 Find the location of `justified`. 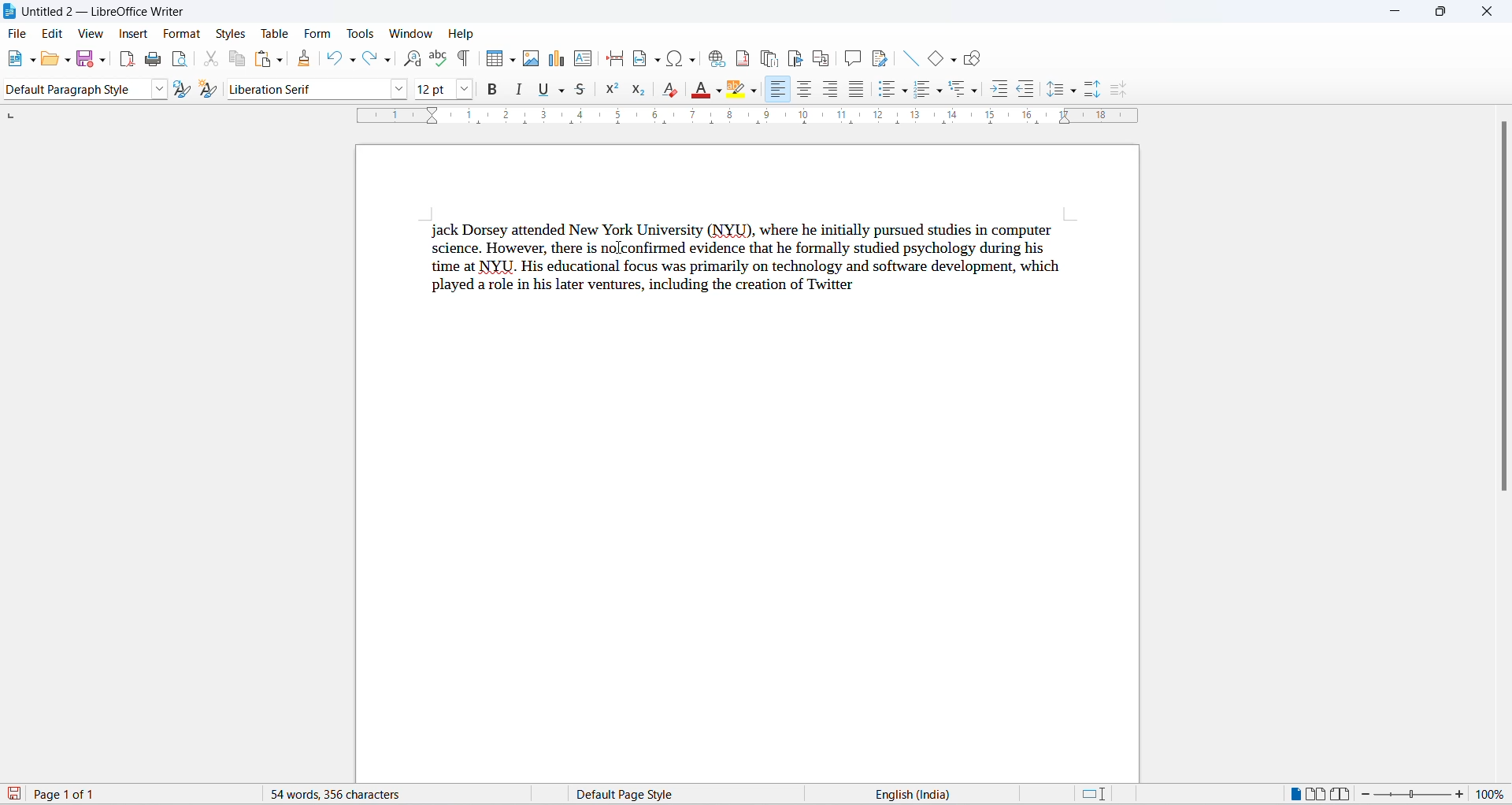

justified is located at coordinates (854, 89).